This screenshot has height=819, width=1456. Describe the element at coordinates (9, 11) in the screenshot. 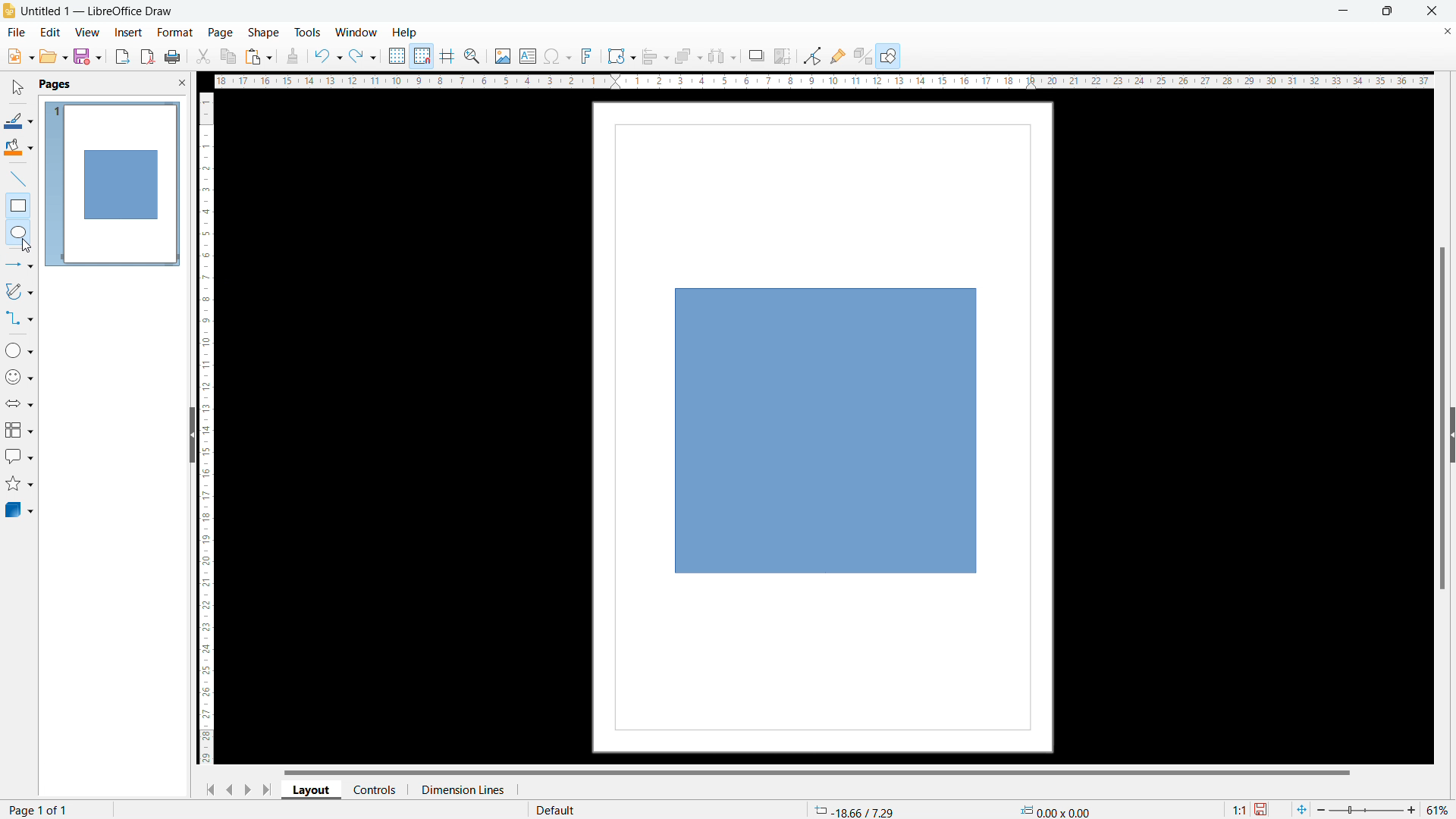

I see `logo` at that location.